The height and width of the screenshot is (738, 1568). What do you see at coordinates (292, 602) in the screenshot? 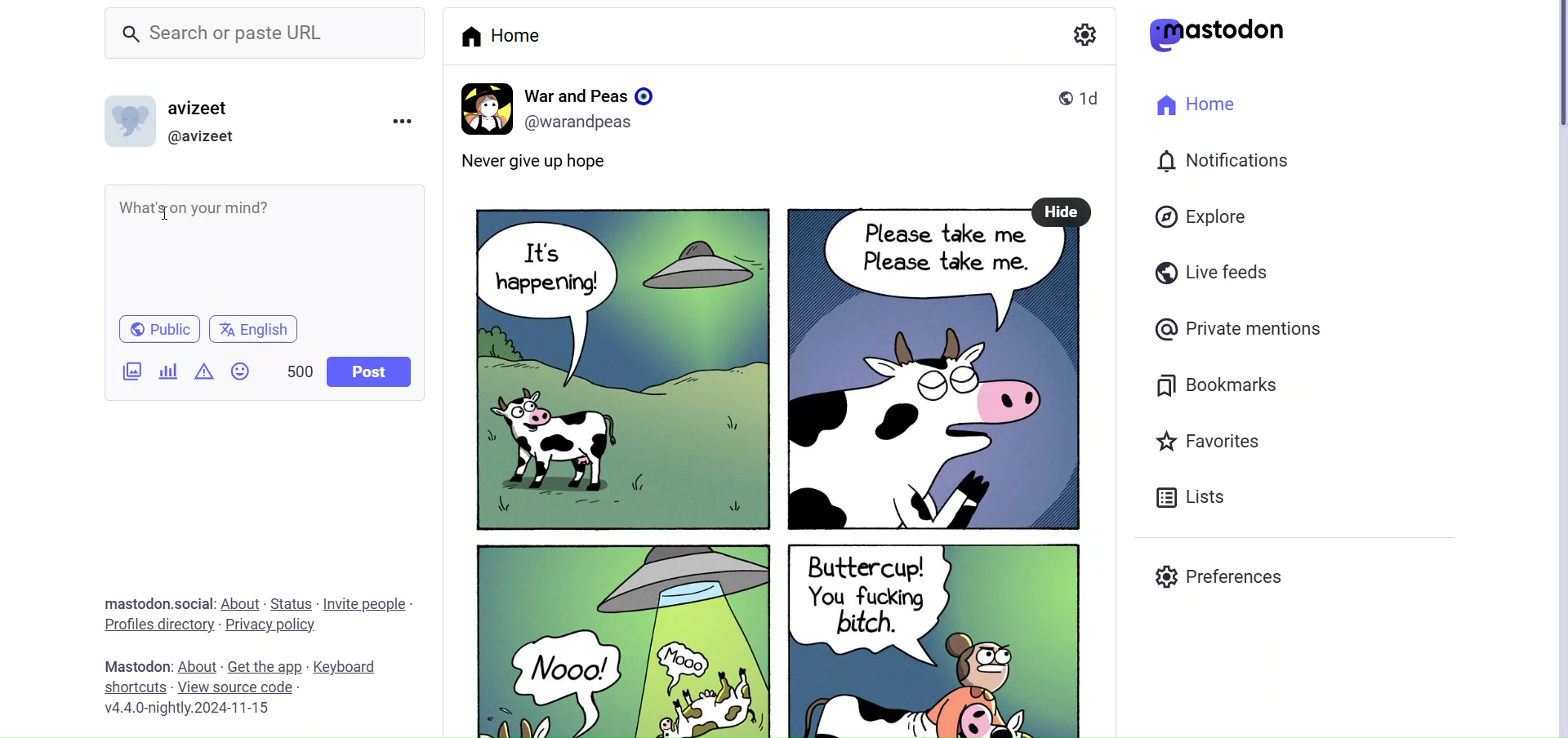
I see `Status` at bounding box center [292, 602].